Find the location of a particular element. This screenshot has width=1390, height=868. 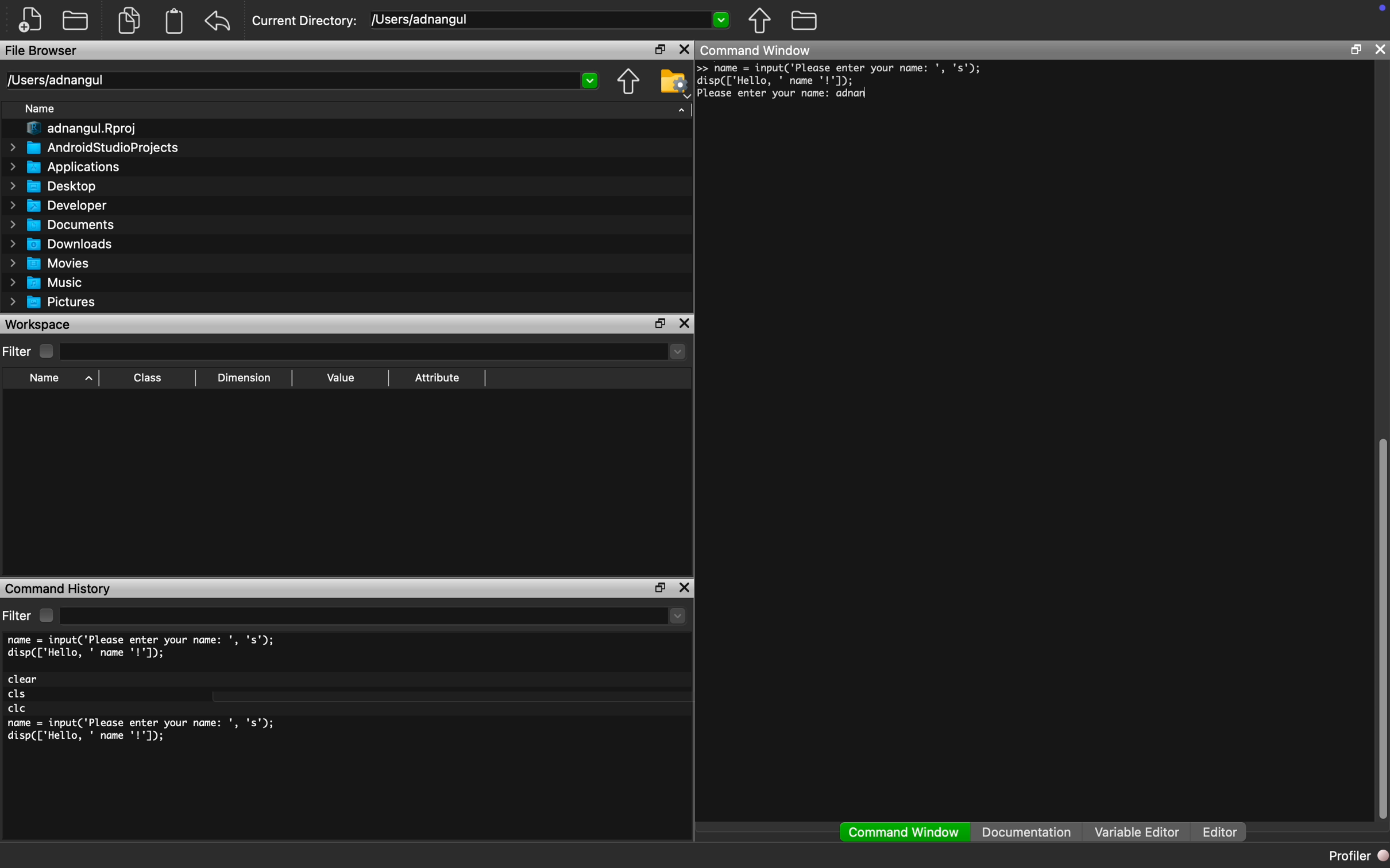

dropdown is located at coordinates (675, 351).